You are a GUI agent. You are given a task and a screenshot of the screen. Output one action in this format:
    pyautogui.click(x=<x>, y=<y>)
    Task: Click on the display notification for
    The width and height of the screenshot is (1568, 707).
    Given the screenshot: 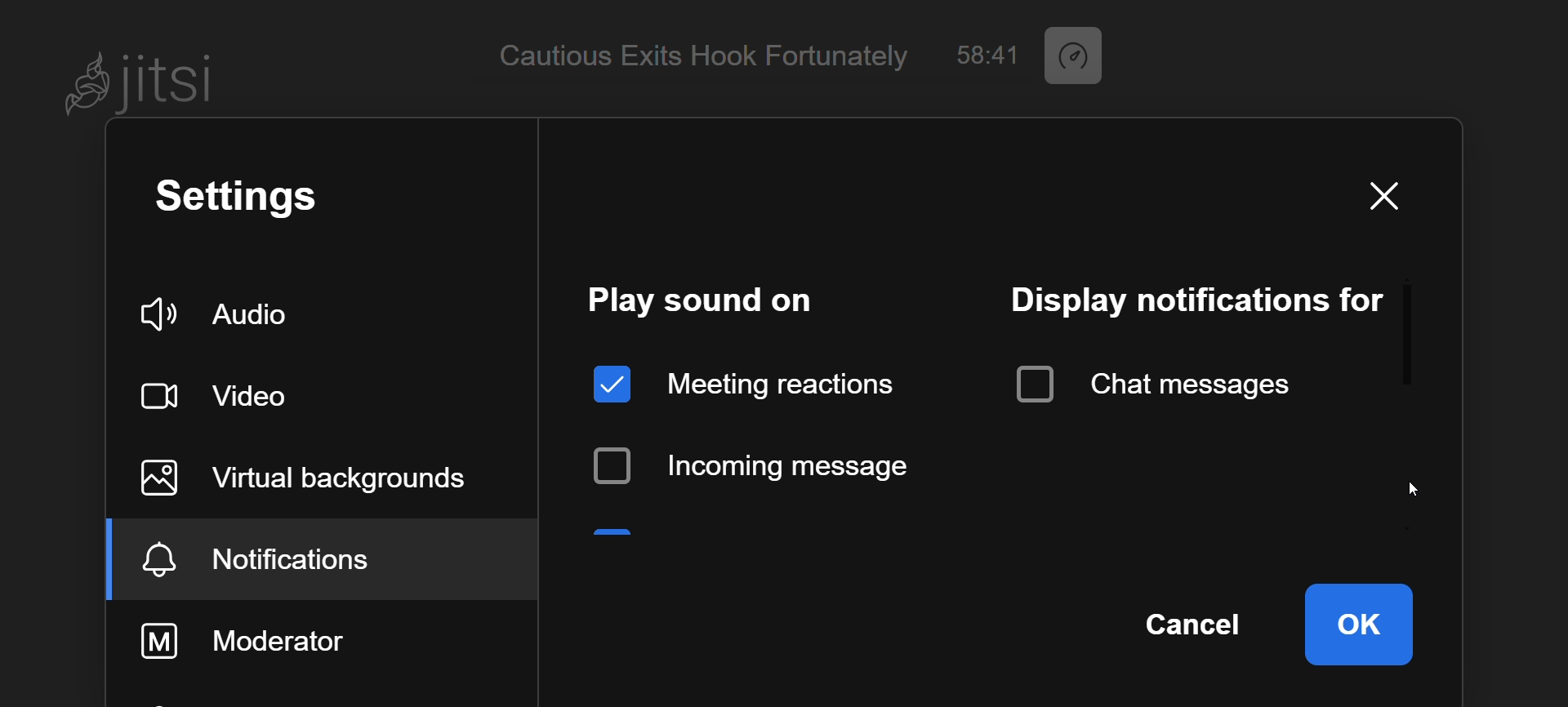 What is the action you would take?
    pyautogui.click(x=1189, y=297)
    